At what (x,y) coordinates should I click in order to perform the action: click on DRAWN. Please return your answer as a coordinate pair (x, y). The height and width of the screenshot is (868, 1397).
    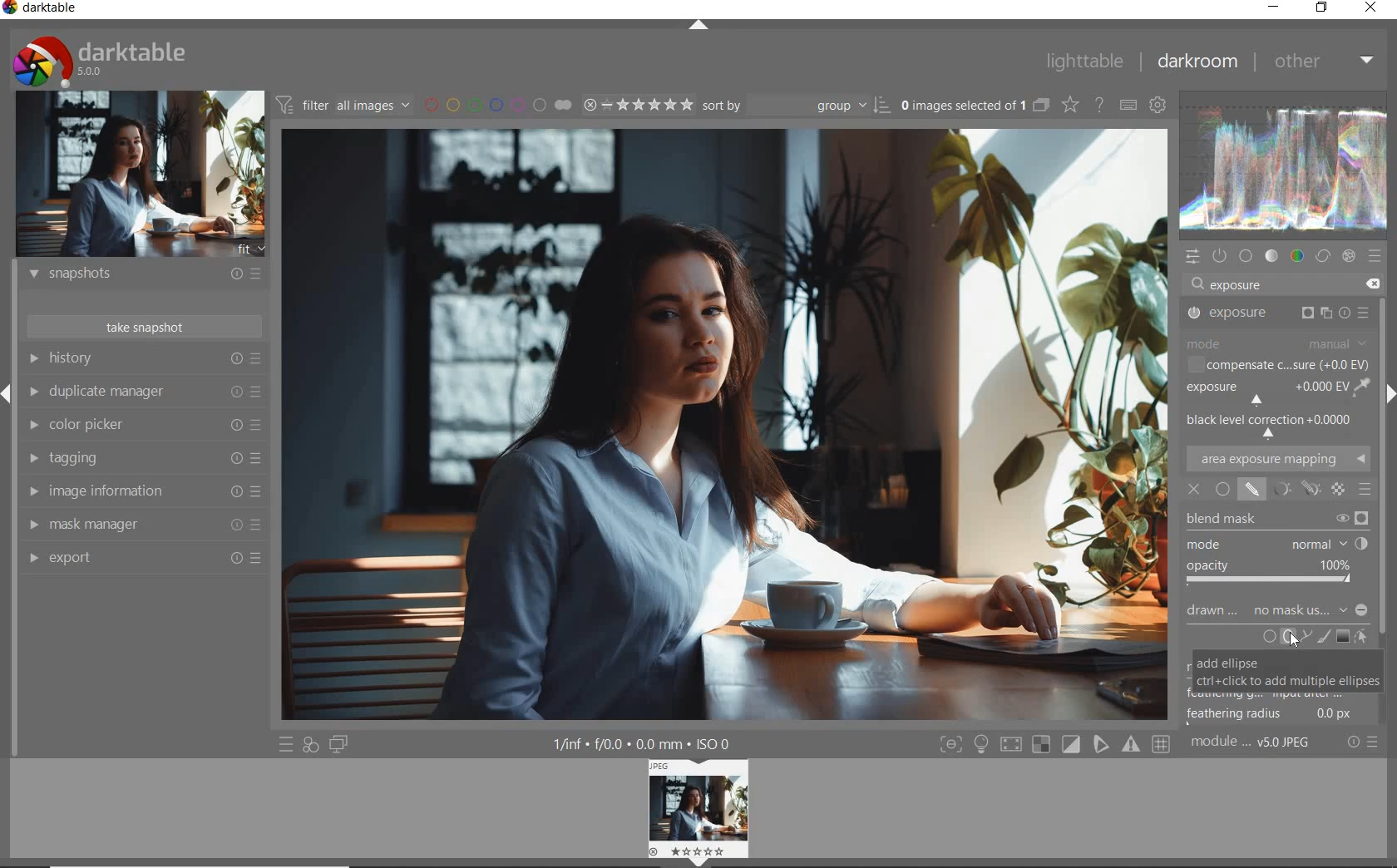
    Looking at the image, I should click on (1277, 612).